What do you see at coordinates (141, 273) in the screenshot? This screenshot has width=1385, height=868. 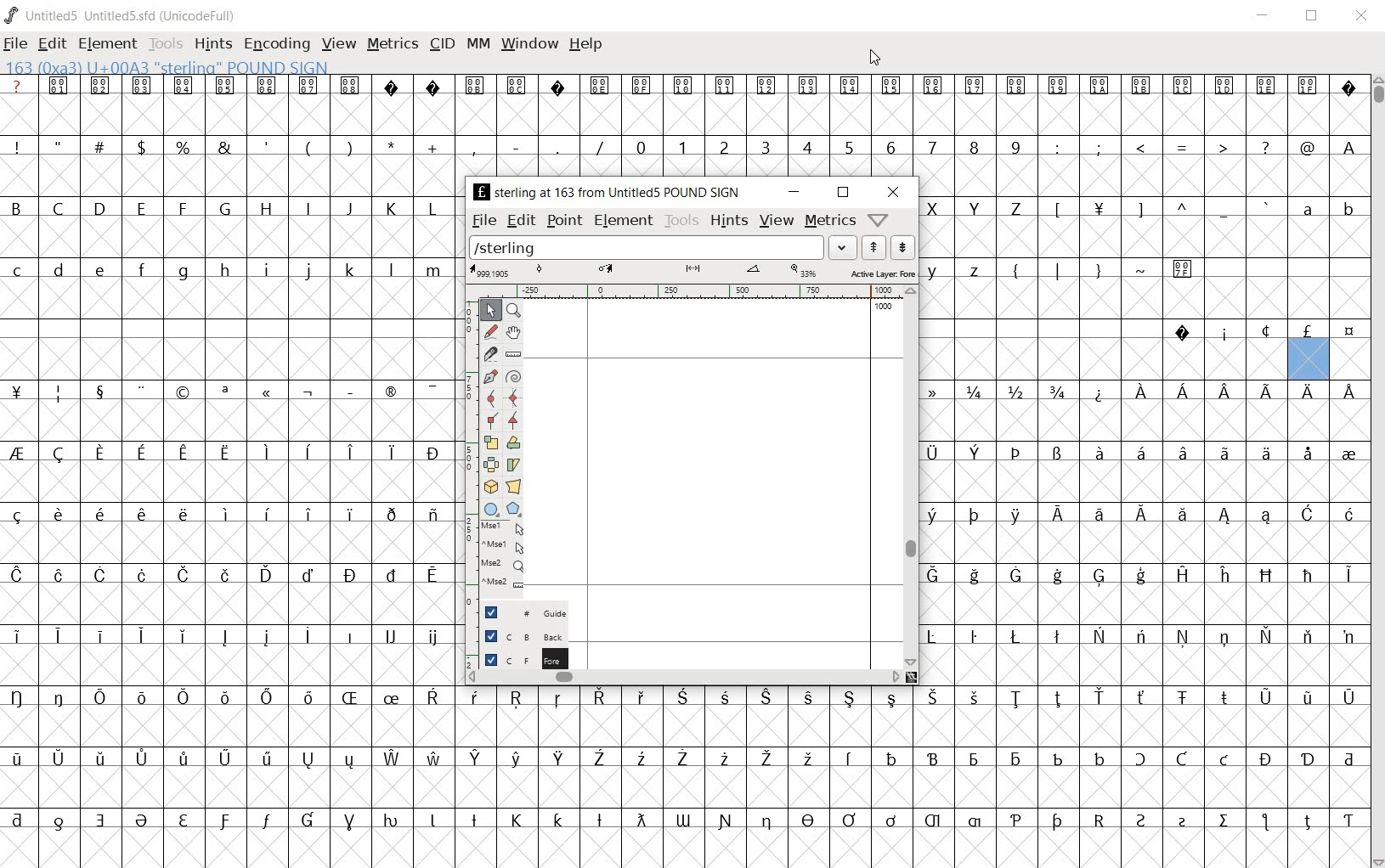 I see `f` at bounding box center [141, 273].